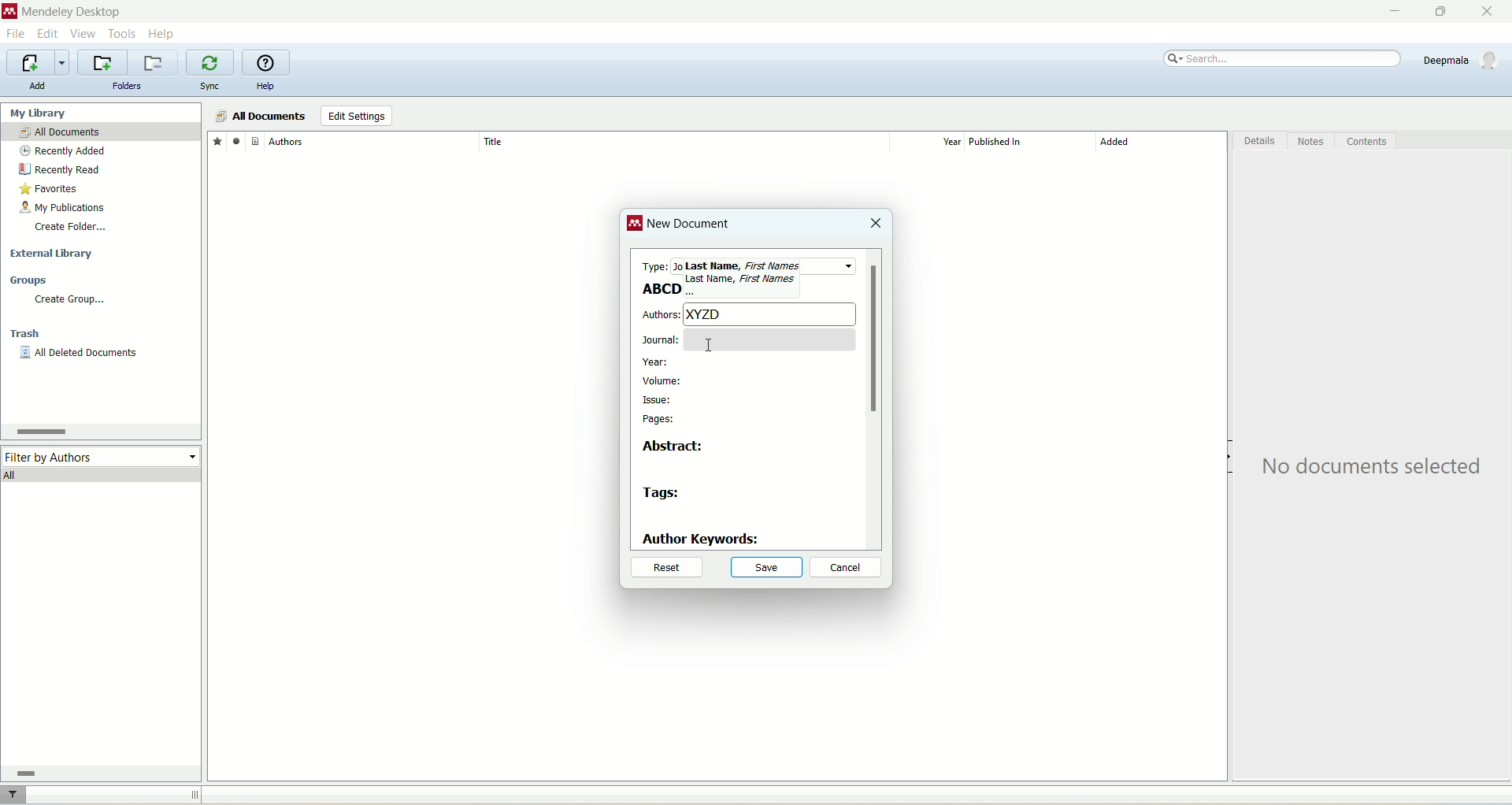 Image resolution: width=1512 pixels, height=805 pixels. Describe the element at coordinates (265, 87) in the screenshot. I see `help` at that location.